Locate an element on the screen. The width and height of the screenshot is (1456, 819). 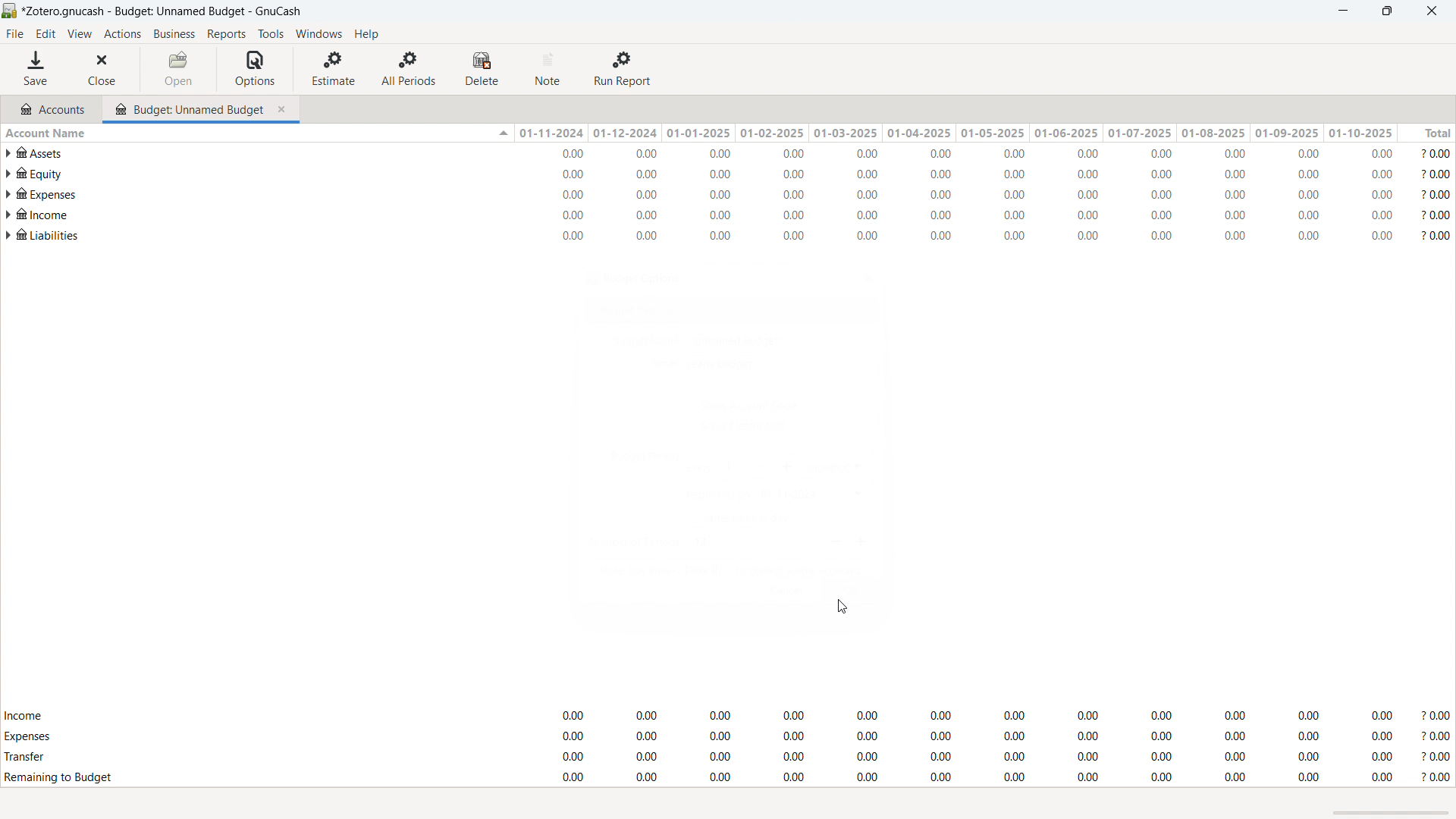
account statement for "Income" is located at coordinates (738, 214).